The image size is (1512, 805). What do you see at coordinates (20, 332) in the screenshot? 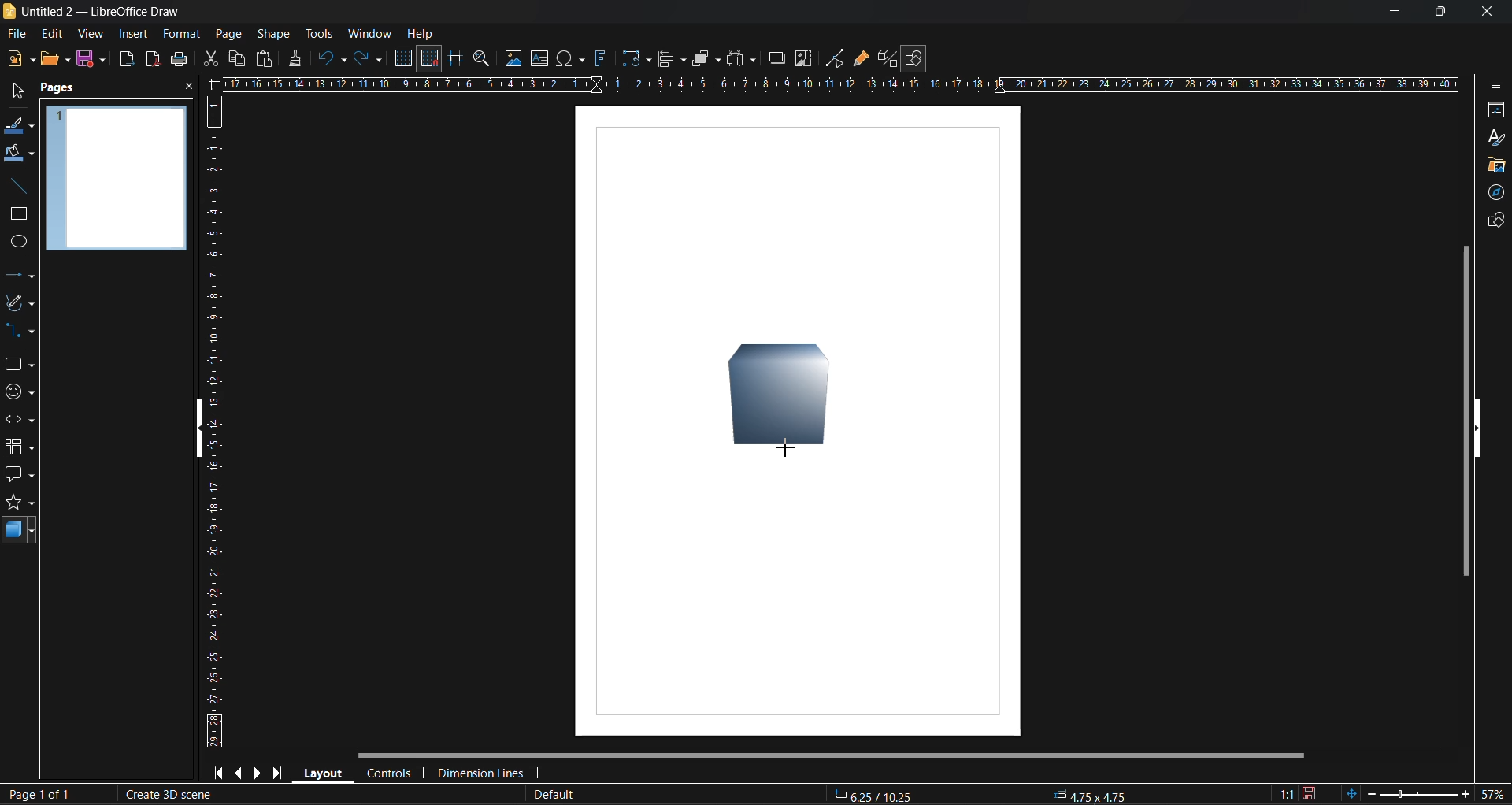
I see `connectors` at bounding box center [20, 332].